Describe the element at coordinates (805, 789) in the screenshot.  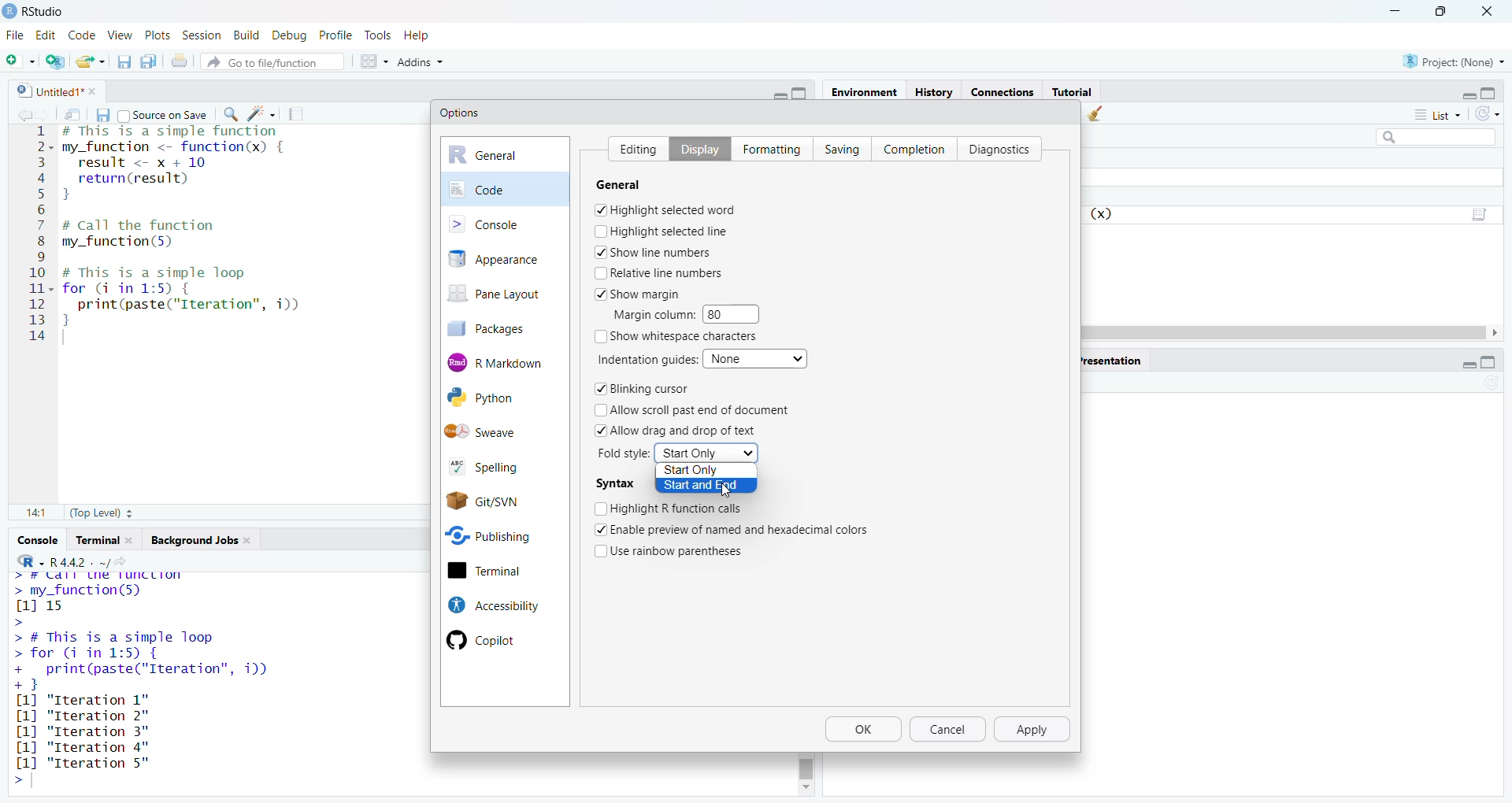
I see `move down` at that location.